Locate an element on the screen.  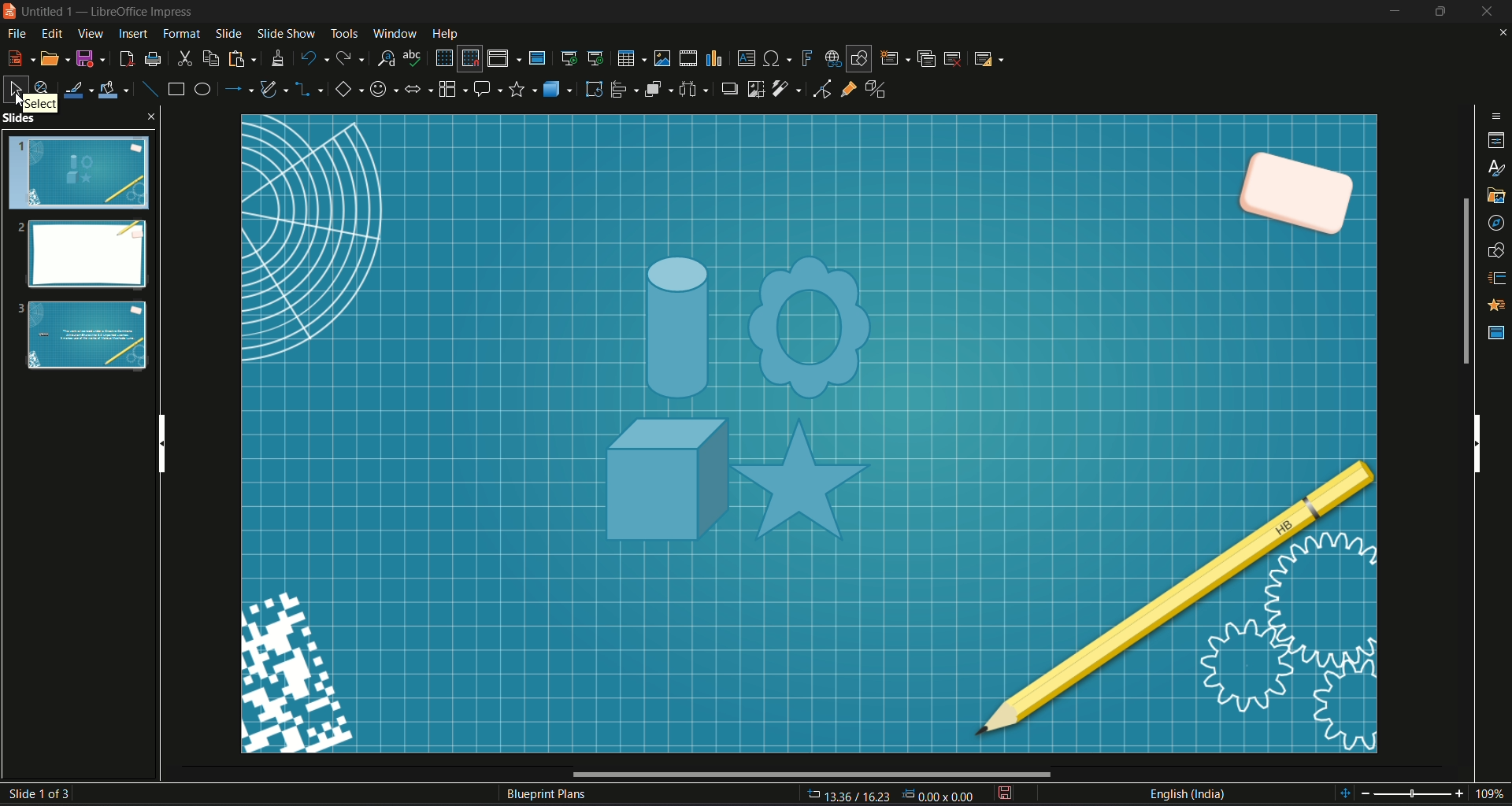
Tools is located at coordinates (343, 31).